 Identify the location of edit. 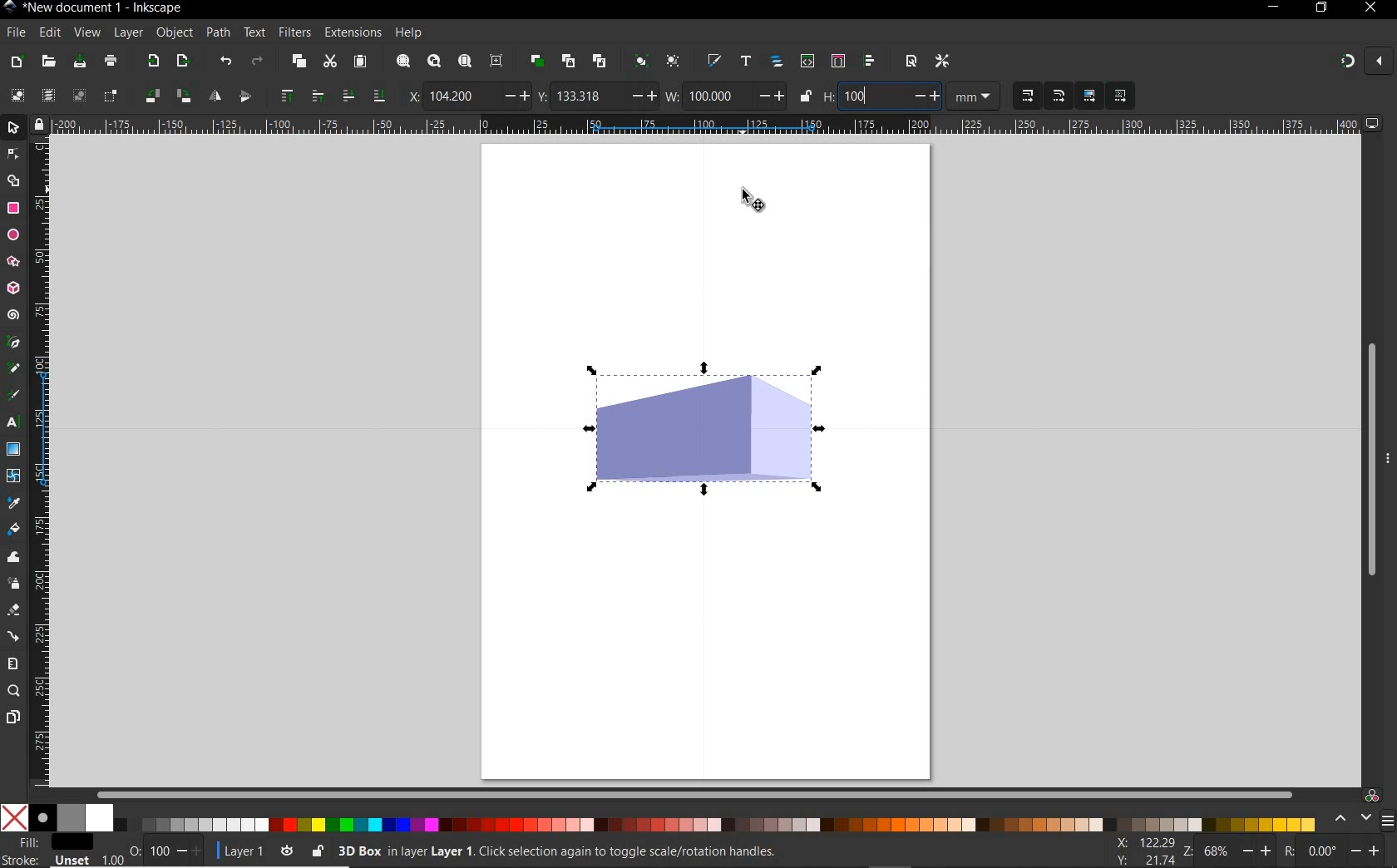
(48, 33).